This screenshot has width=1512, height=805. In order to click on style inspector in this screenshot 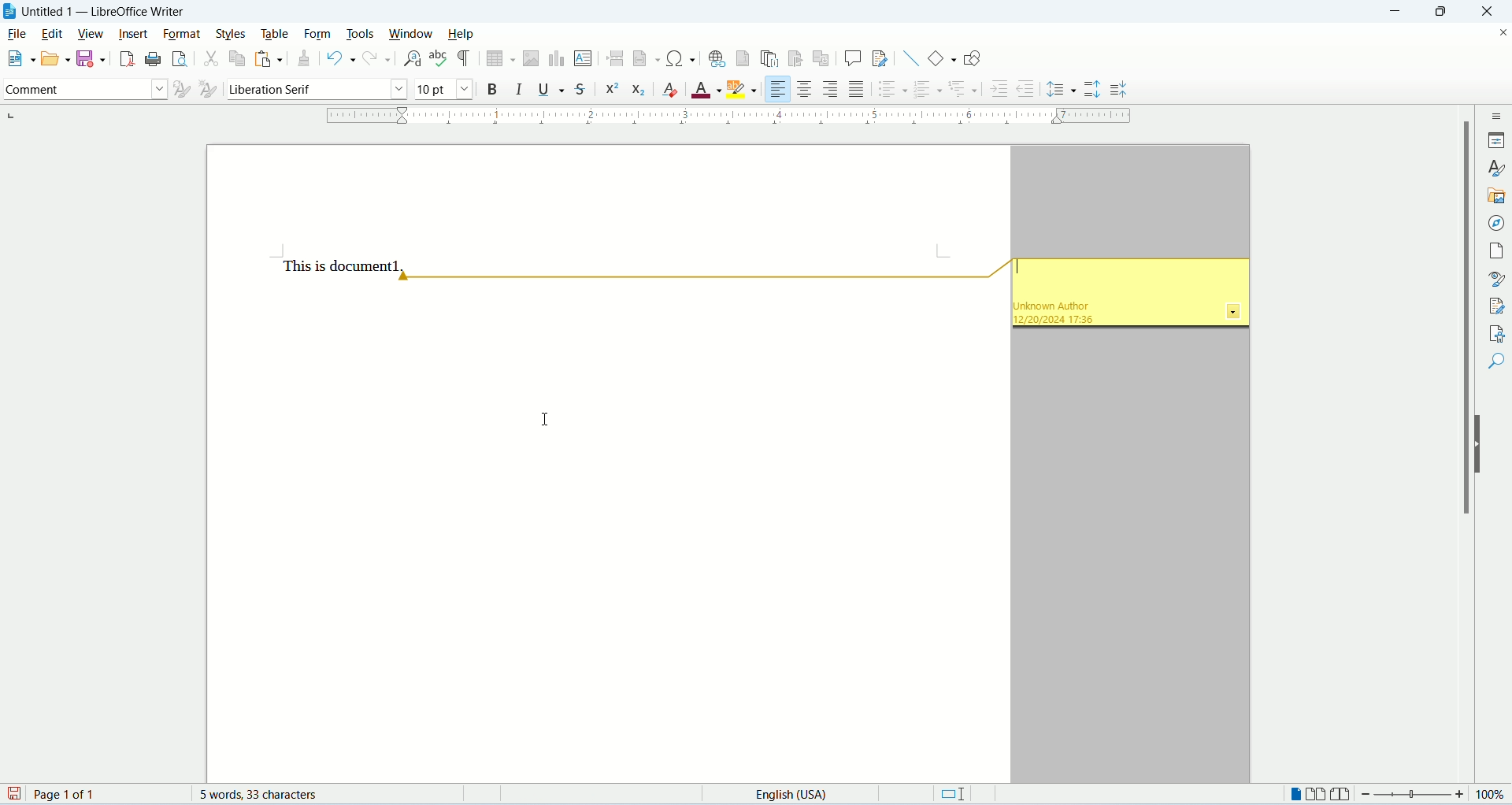, I will do `click(1494, 280)`.